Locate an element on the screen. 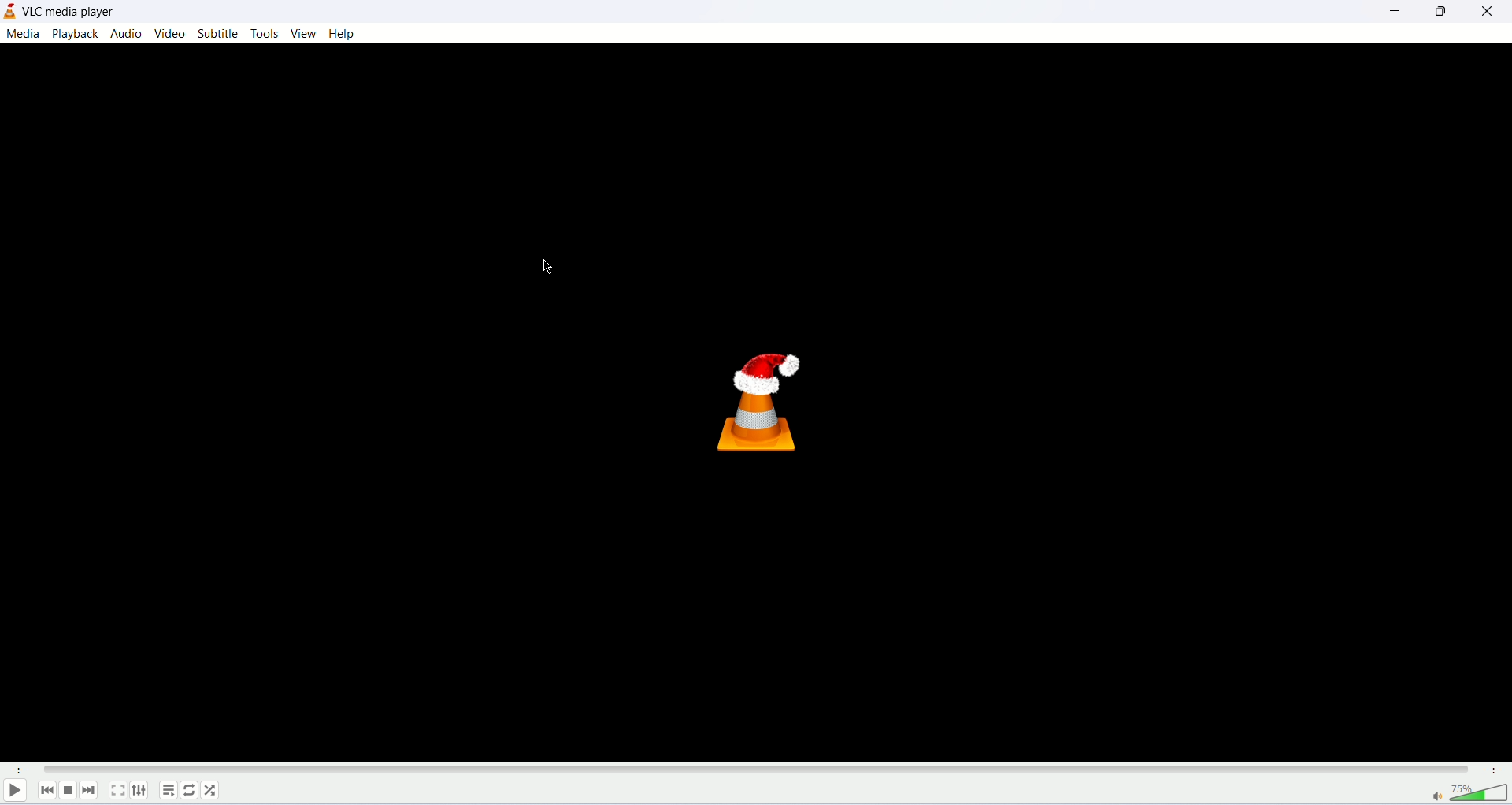 The image size is (1512, 805). shuffle is located at coordinates (213, 790).